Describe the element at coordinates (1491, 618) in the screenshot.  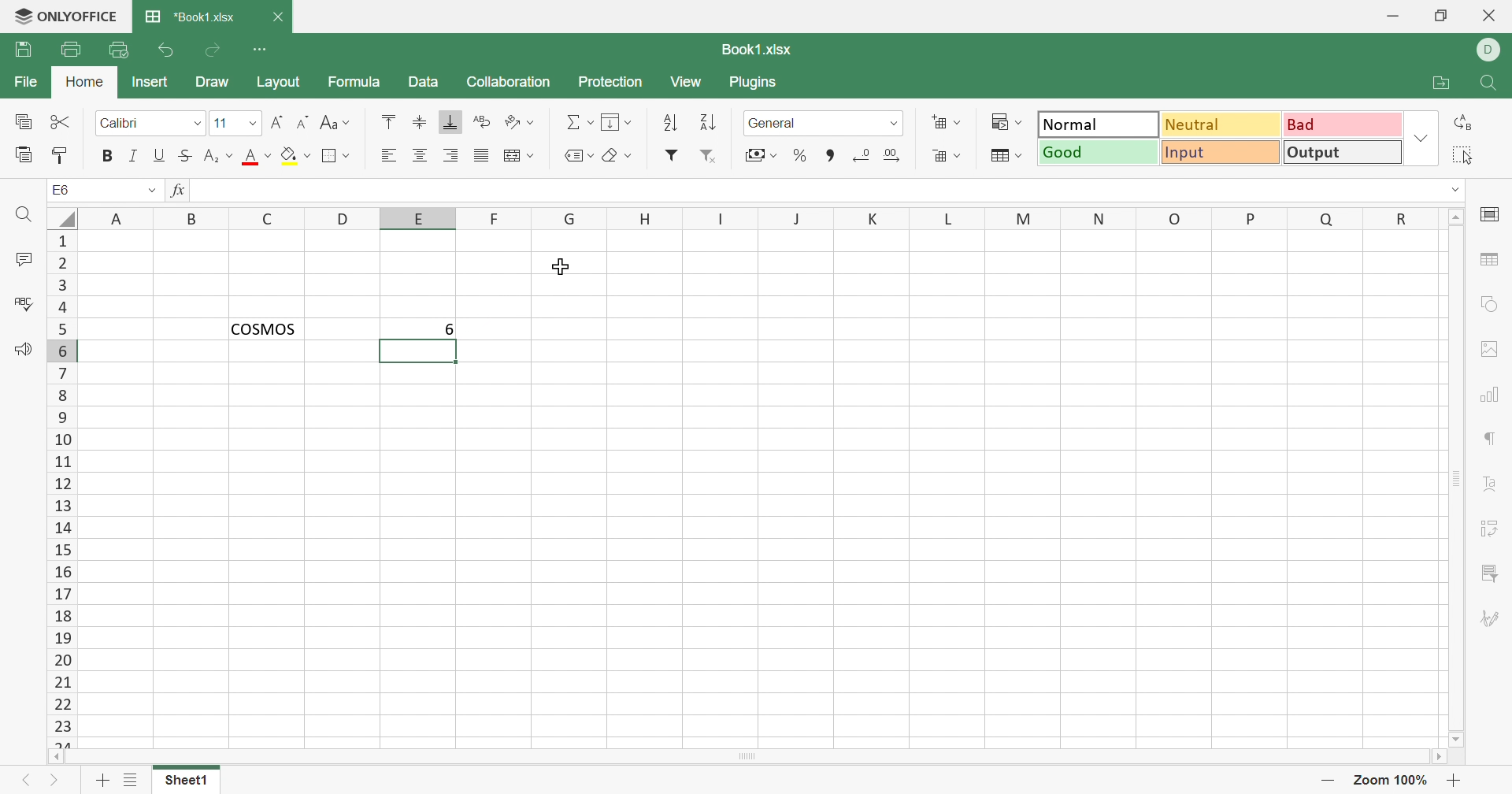
I see `Signature settings` at that location.